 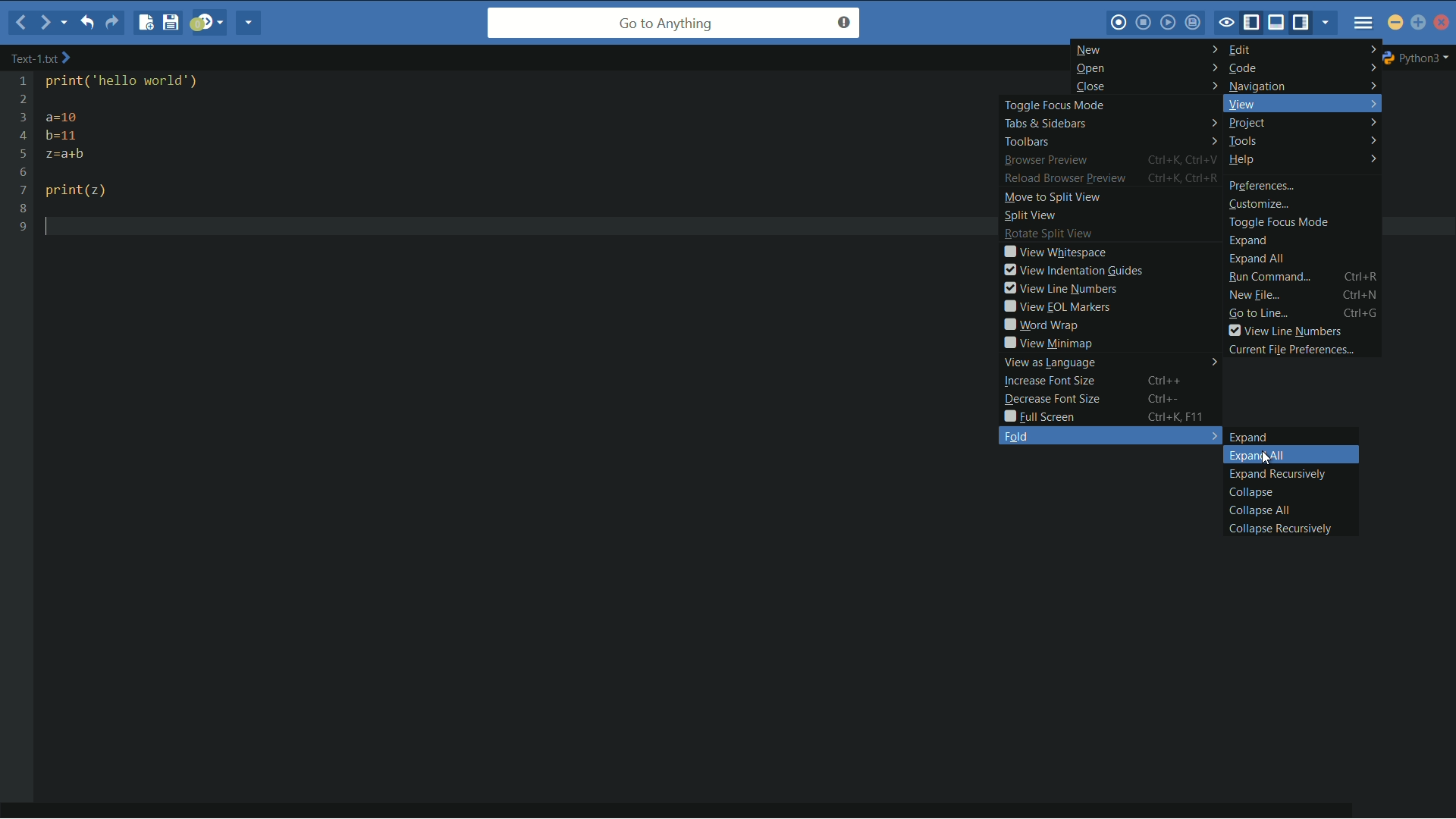 I want to click on go to anything, so click(x=673, y=24).